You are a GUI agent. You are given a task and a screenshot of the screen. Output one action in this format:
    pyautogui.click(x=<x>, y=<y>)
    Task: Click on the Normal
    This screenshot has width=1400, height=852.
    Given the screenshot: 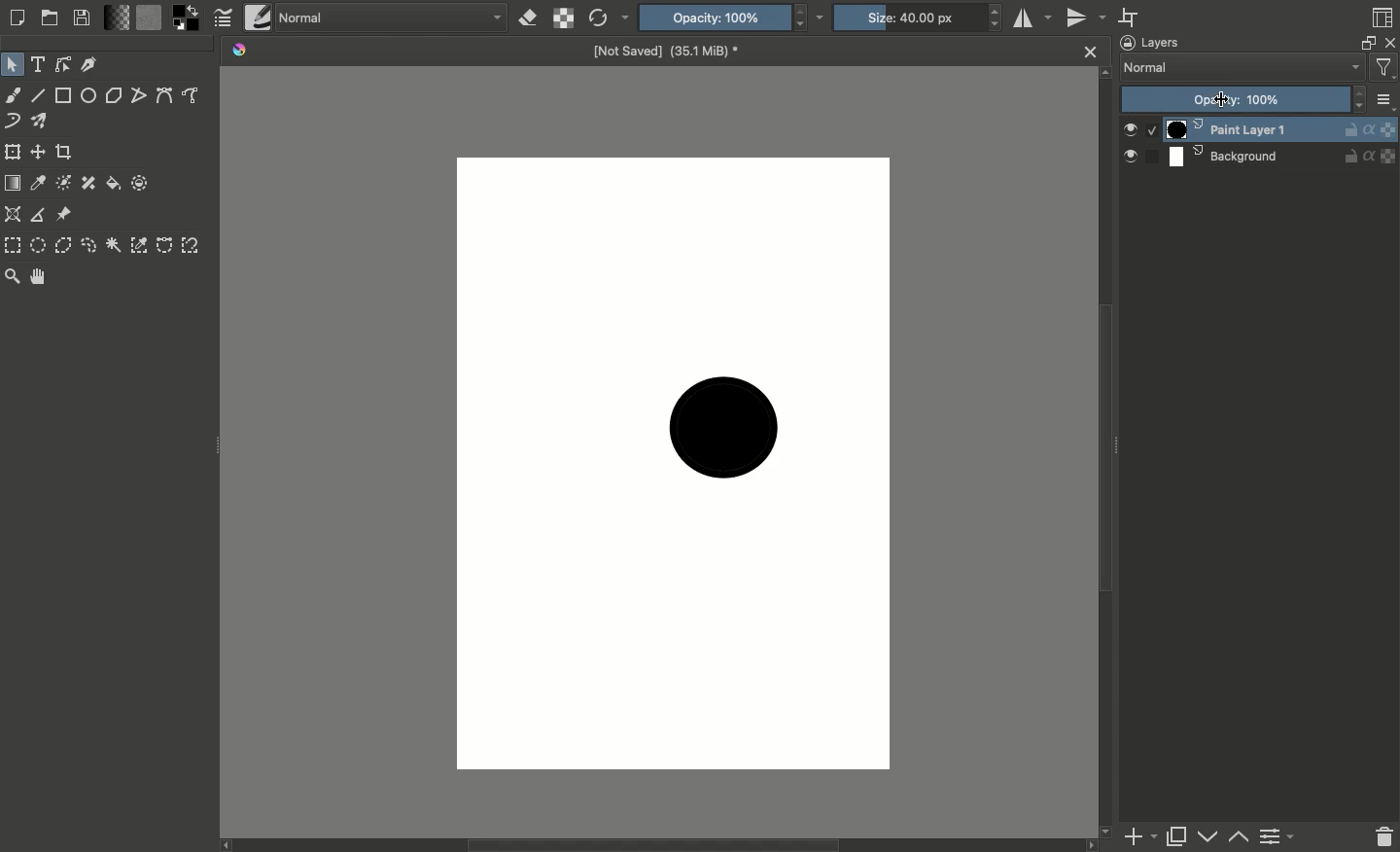 What is the action you would take?
    pyautogui.click(x=1244, y=69)
    